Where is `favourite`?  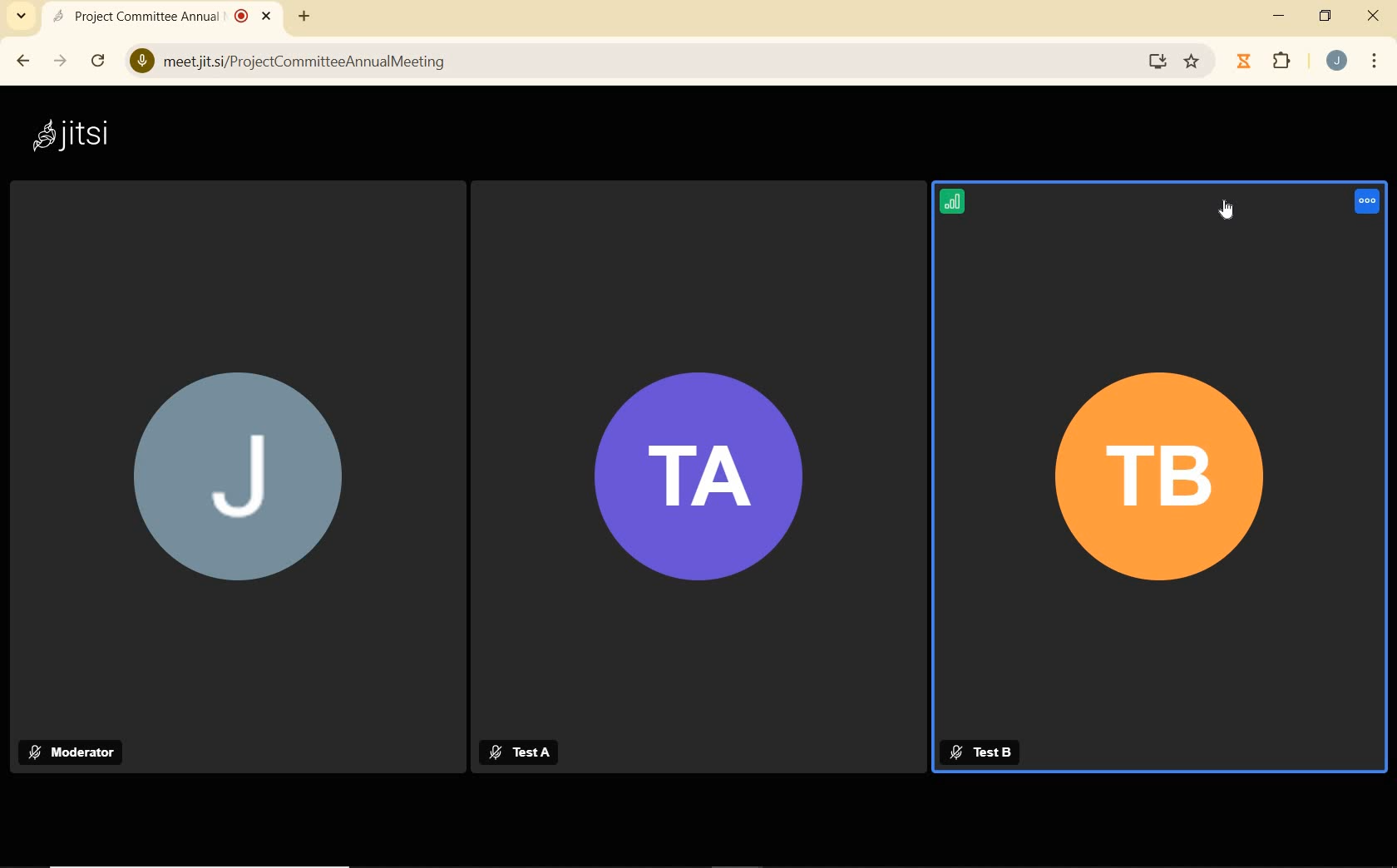
favourite is located at coordinates (1193, 64).